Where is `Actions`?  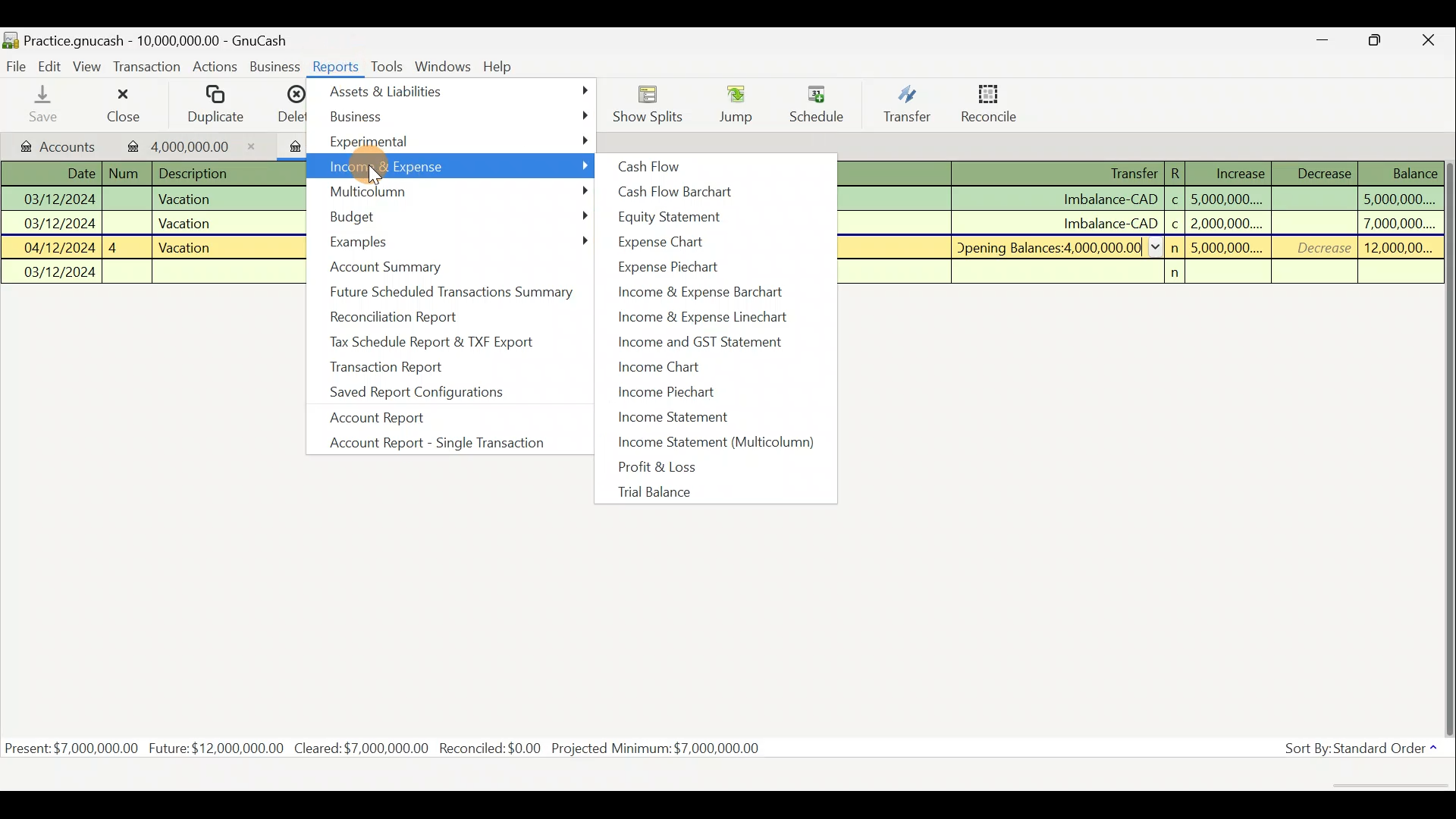
Actions is located at coordinates (215, 66).